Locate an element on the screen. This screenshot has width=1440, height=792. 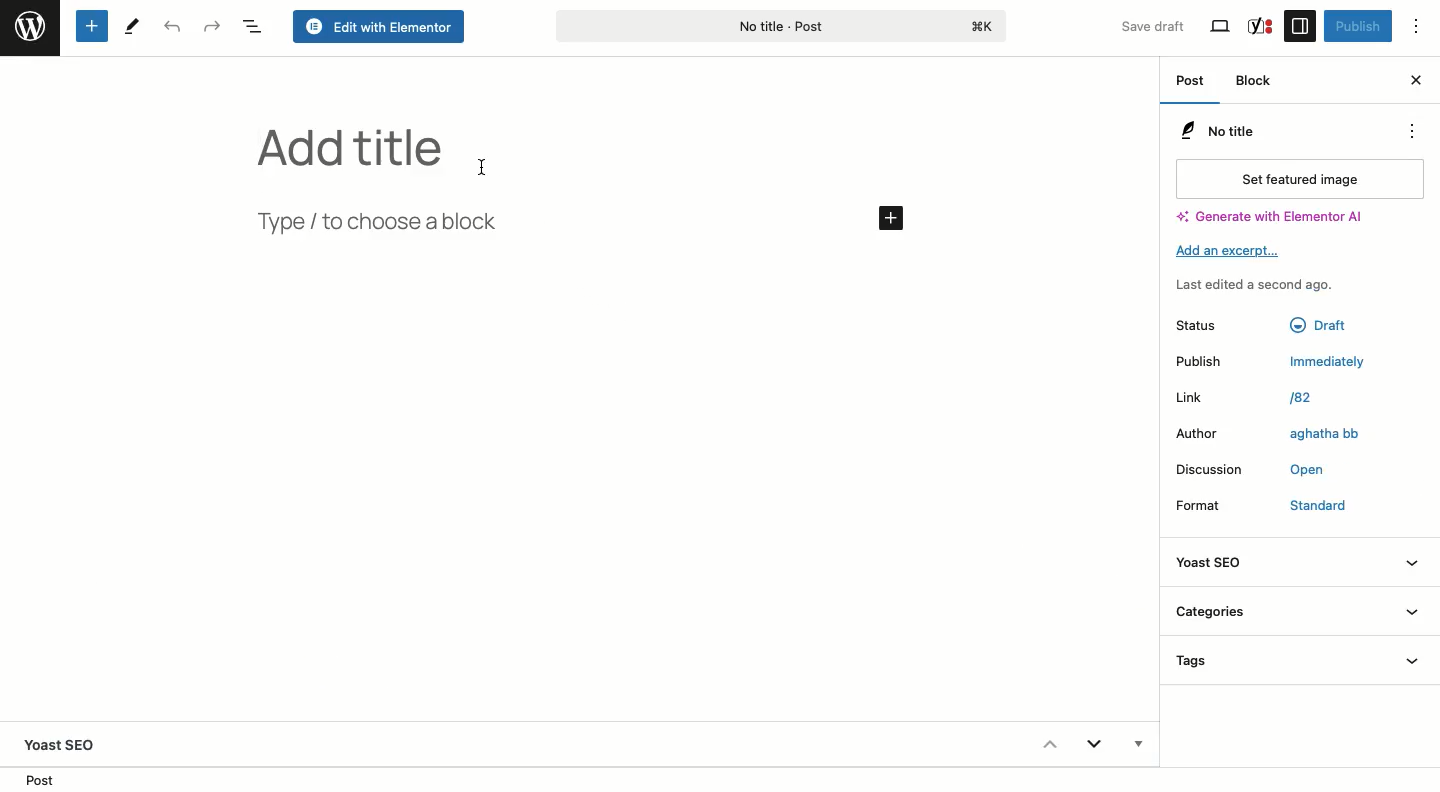
Add button is located at coordinates (889, 217).